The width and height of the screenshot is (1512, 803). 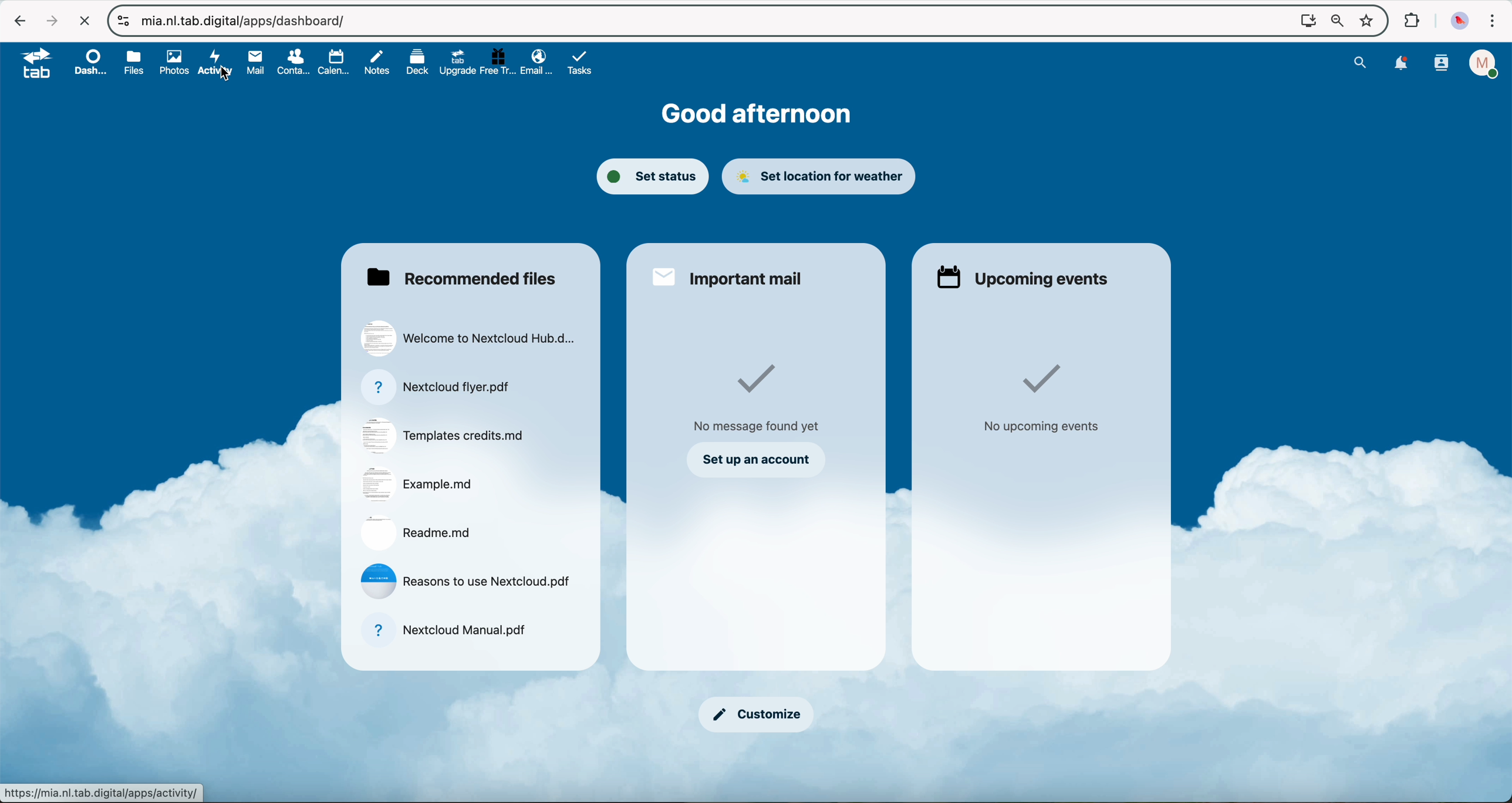 I want to click on good afternoon, so click(x=758, y=113).